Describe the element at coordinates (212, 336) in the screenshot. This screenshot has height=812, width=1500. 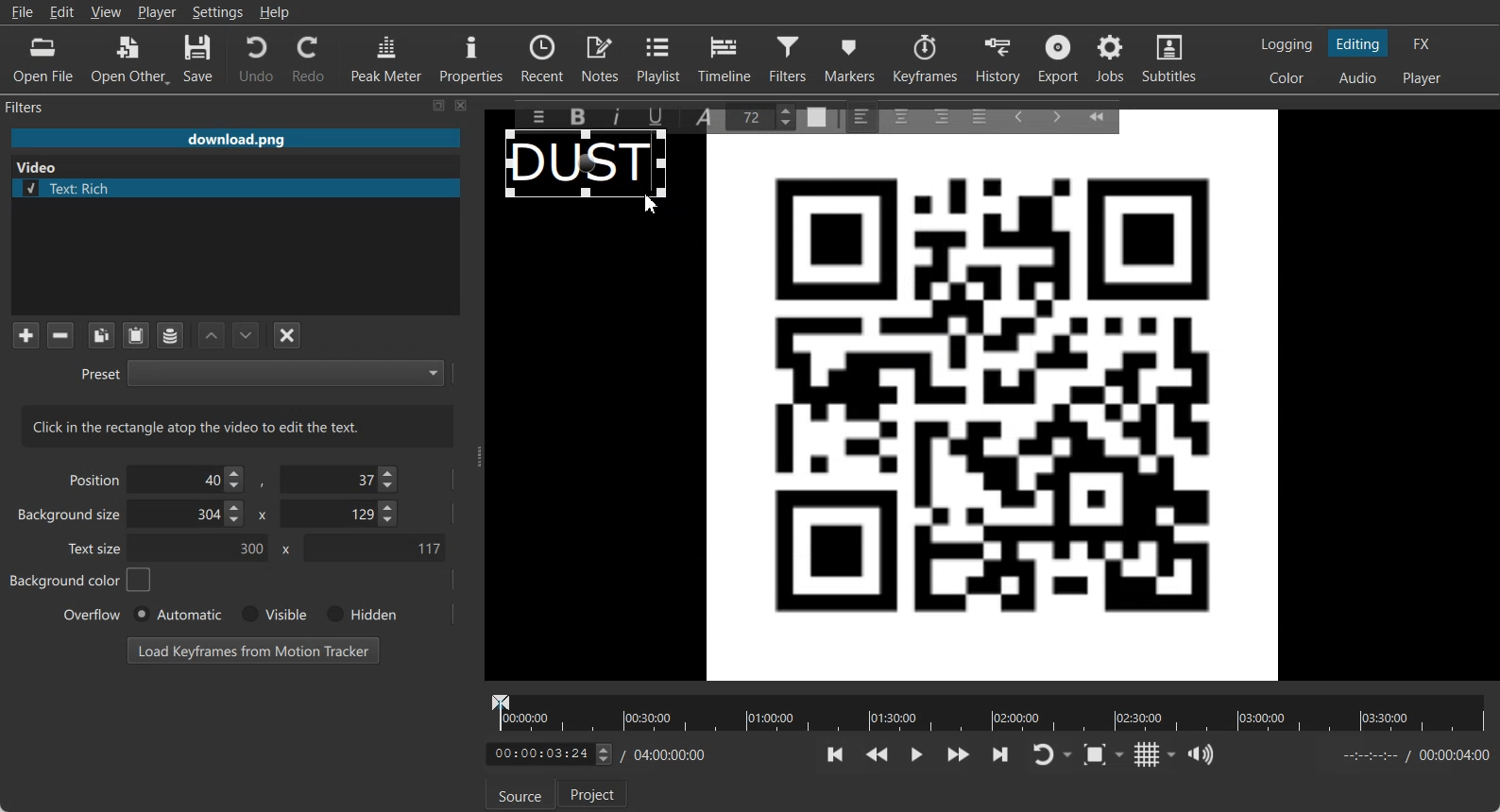
I see `Move Filter up` at that location.